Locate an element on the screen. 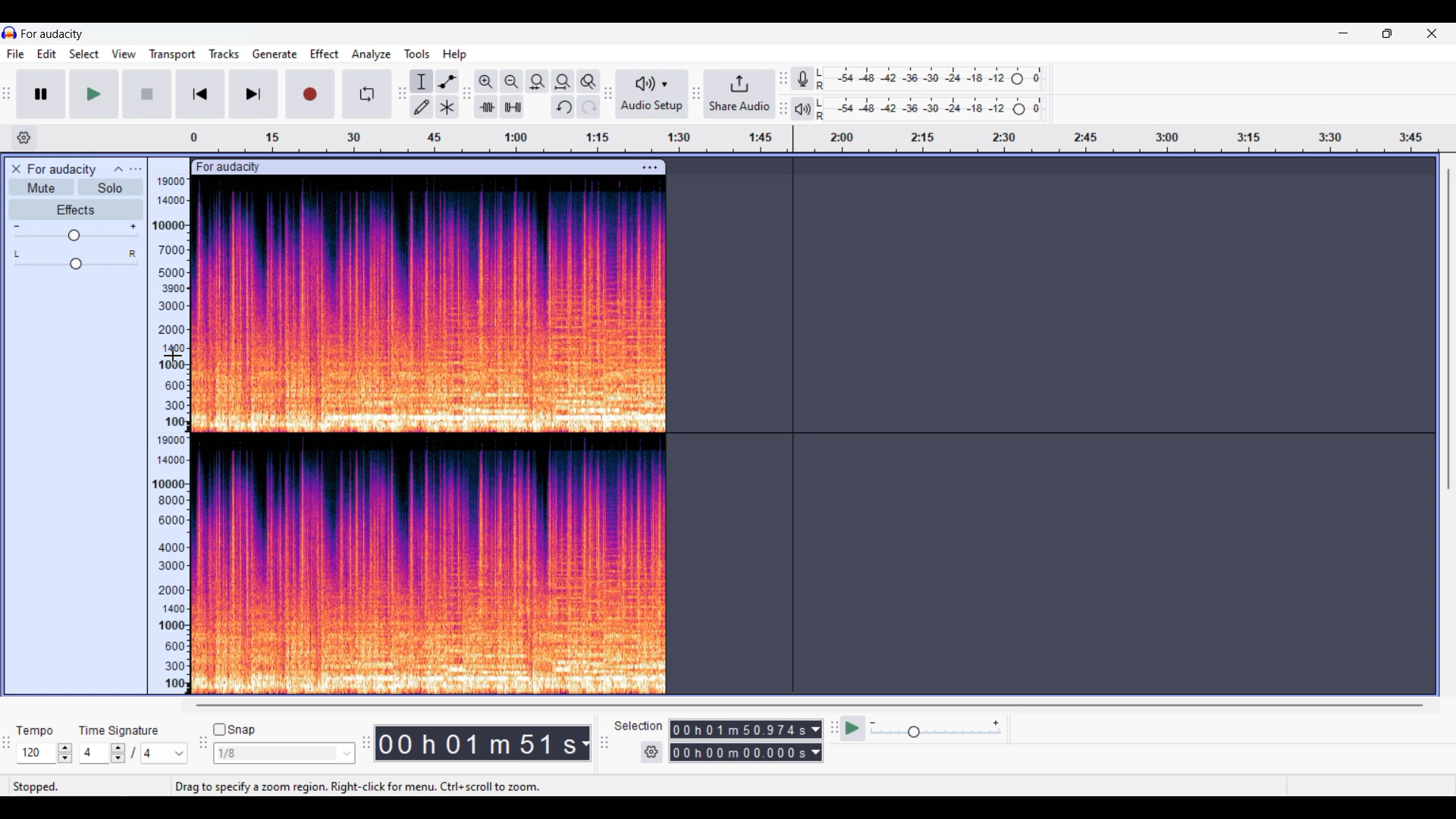 The height and width of the screenshot is (819, 1456). for audacity is located at coordinates (63, 169).